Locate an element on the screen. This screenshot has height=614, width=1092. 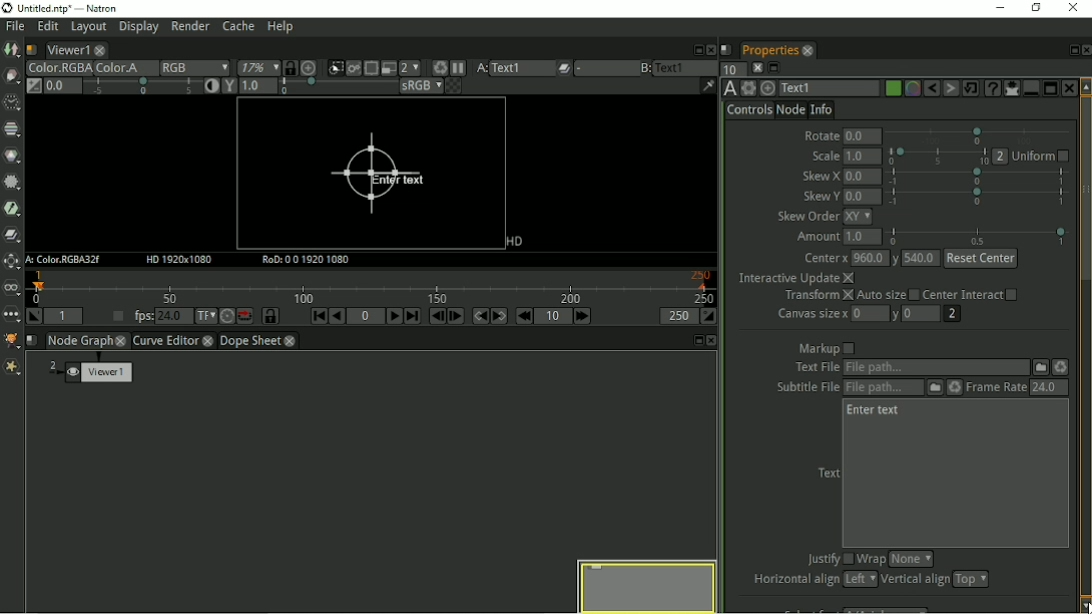
Reload the file is located at coordinates (955, 387).